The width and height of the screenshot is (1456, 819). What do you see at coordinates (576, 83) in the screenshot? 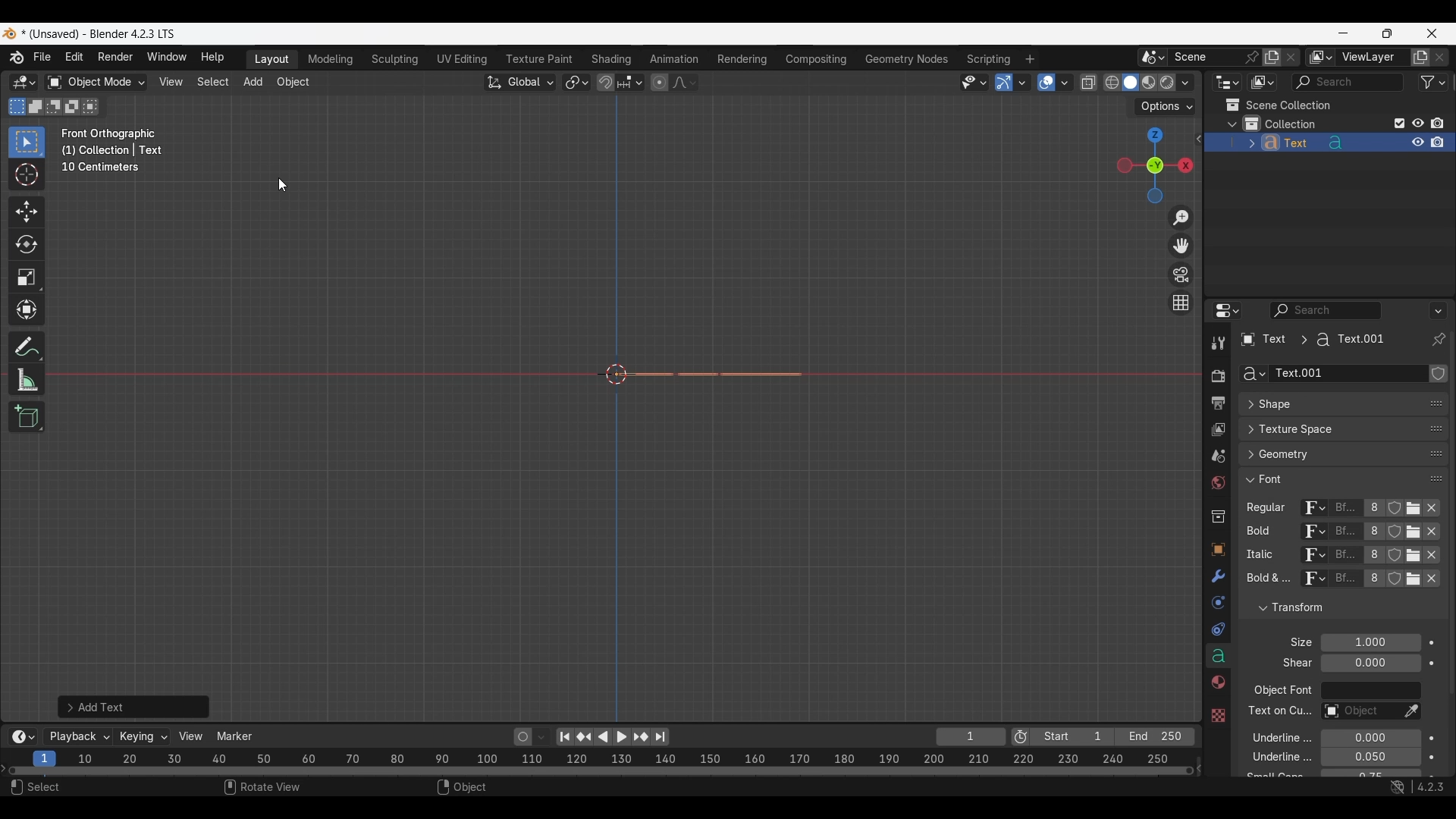
I see `Transform pivot point` at bounding box center [576, 83].